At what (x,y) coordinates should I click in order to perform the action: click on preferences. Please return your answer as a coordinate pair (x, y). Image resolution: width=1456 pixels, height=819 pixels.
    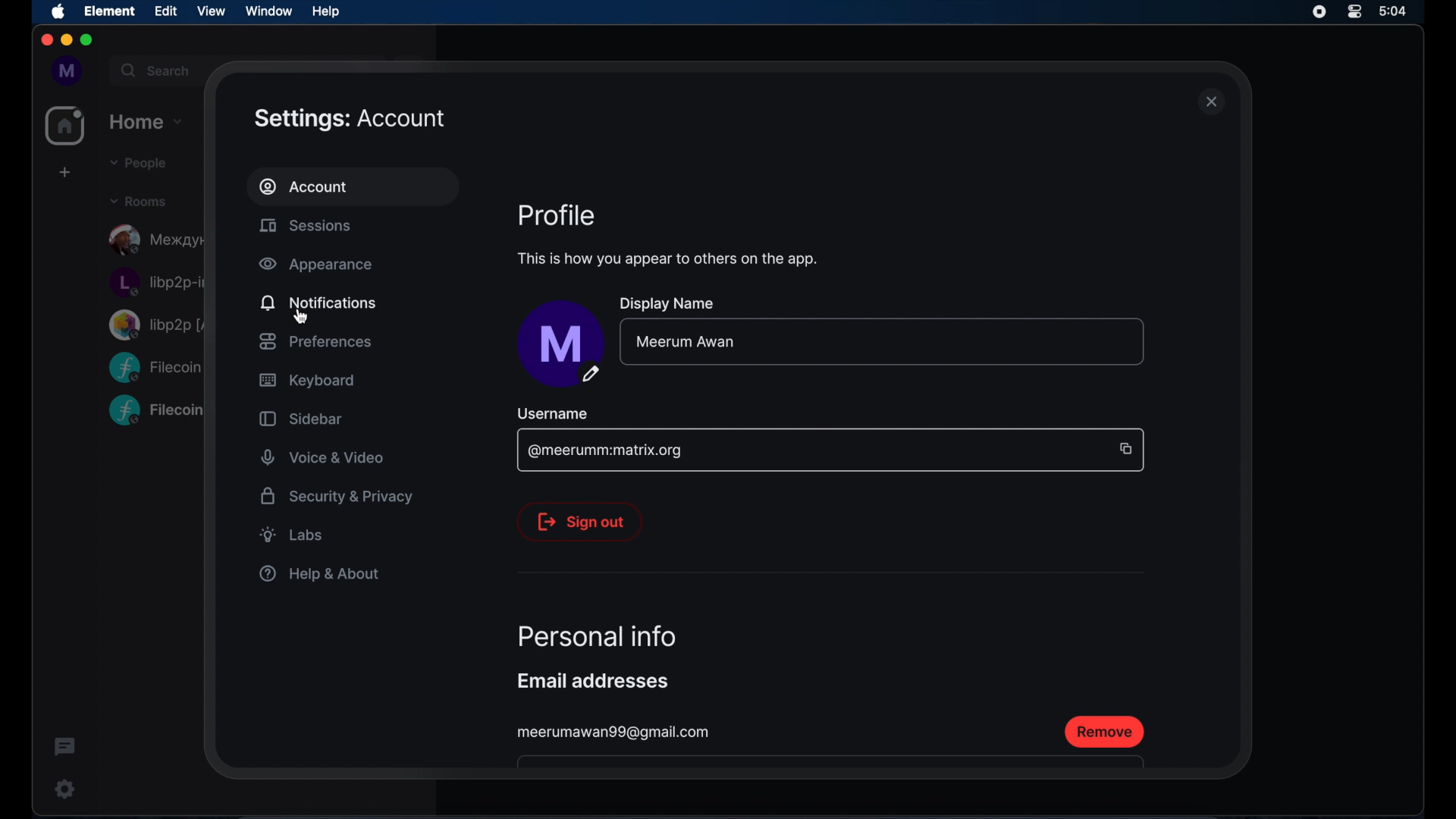
    Looking at the image, I should click on (315, 341).